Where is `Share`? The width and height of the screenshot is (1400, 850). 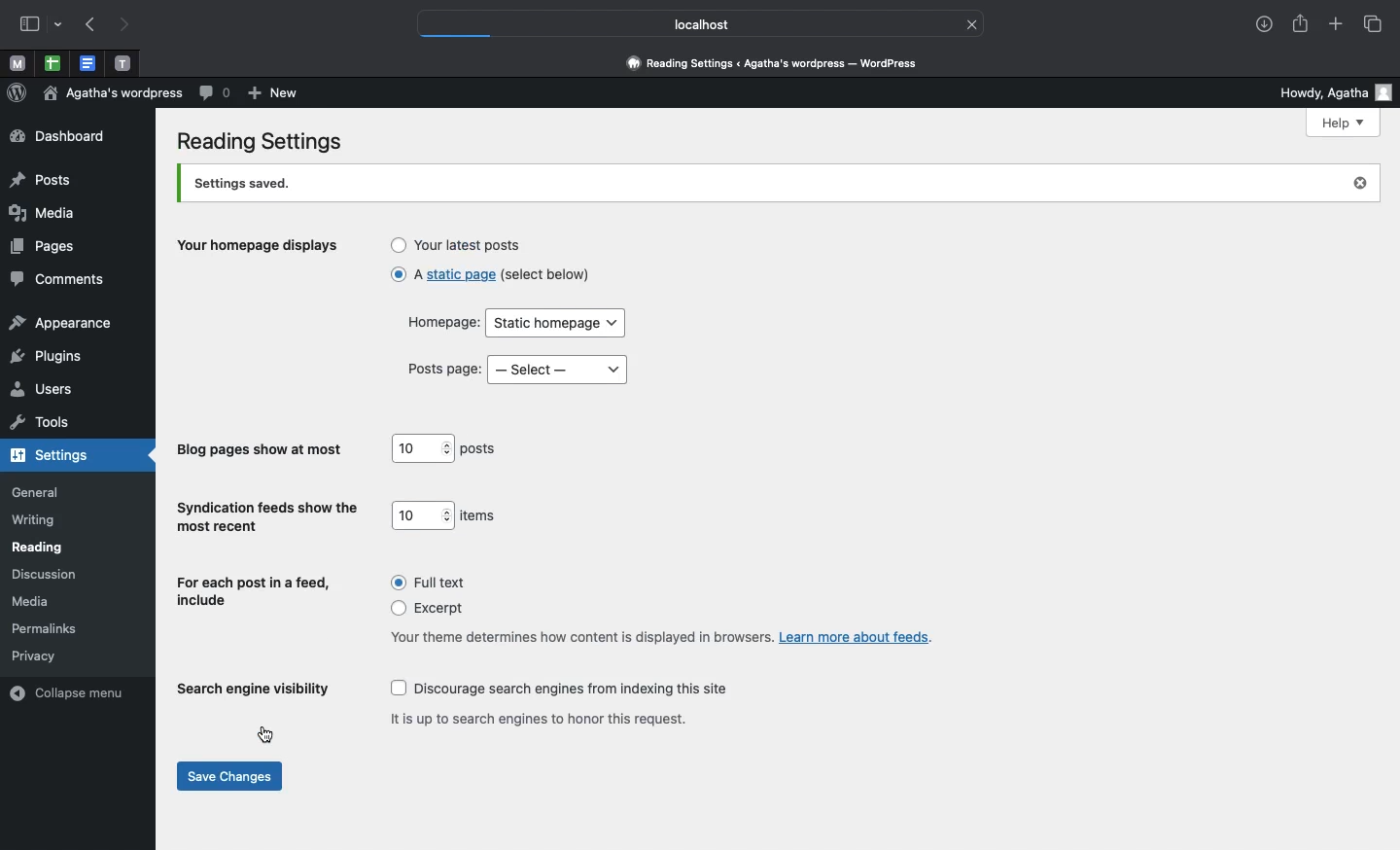 Share is located at coordinates (1297, 21).